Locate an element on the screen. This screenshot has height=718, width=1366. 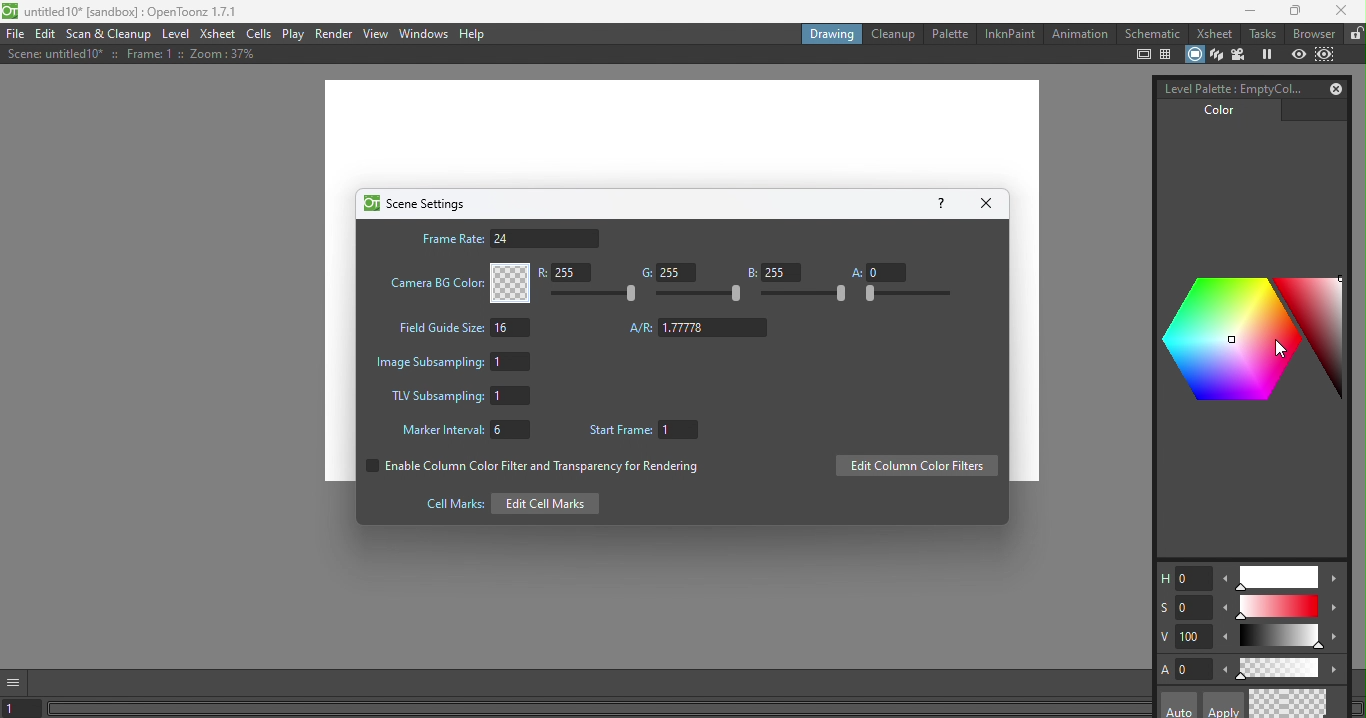
TLV Subsampling is located at coordinates (460, 397).